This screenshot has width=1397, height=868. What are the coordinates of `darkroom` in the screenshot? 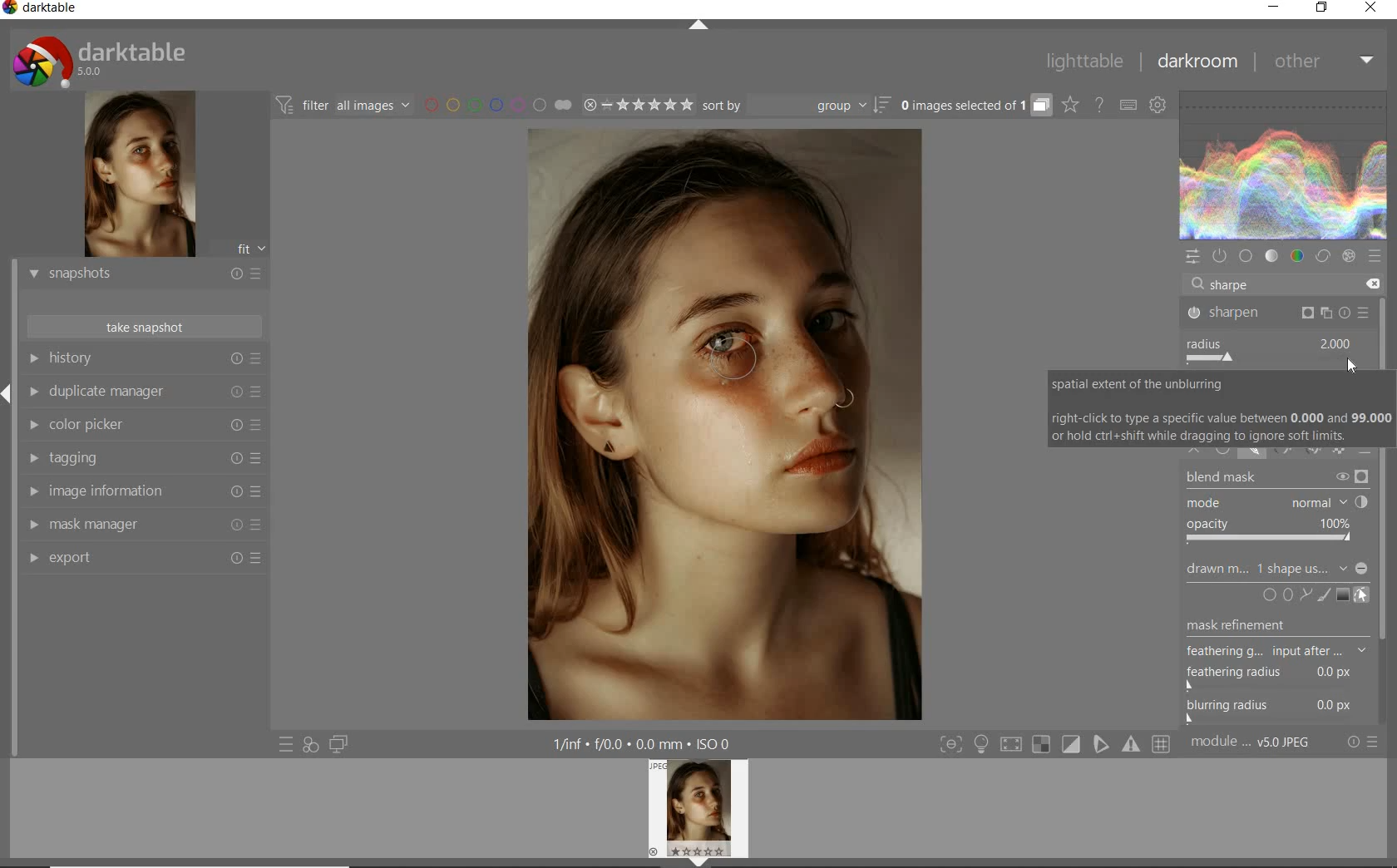 It's located at (1198, 64).